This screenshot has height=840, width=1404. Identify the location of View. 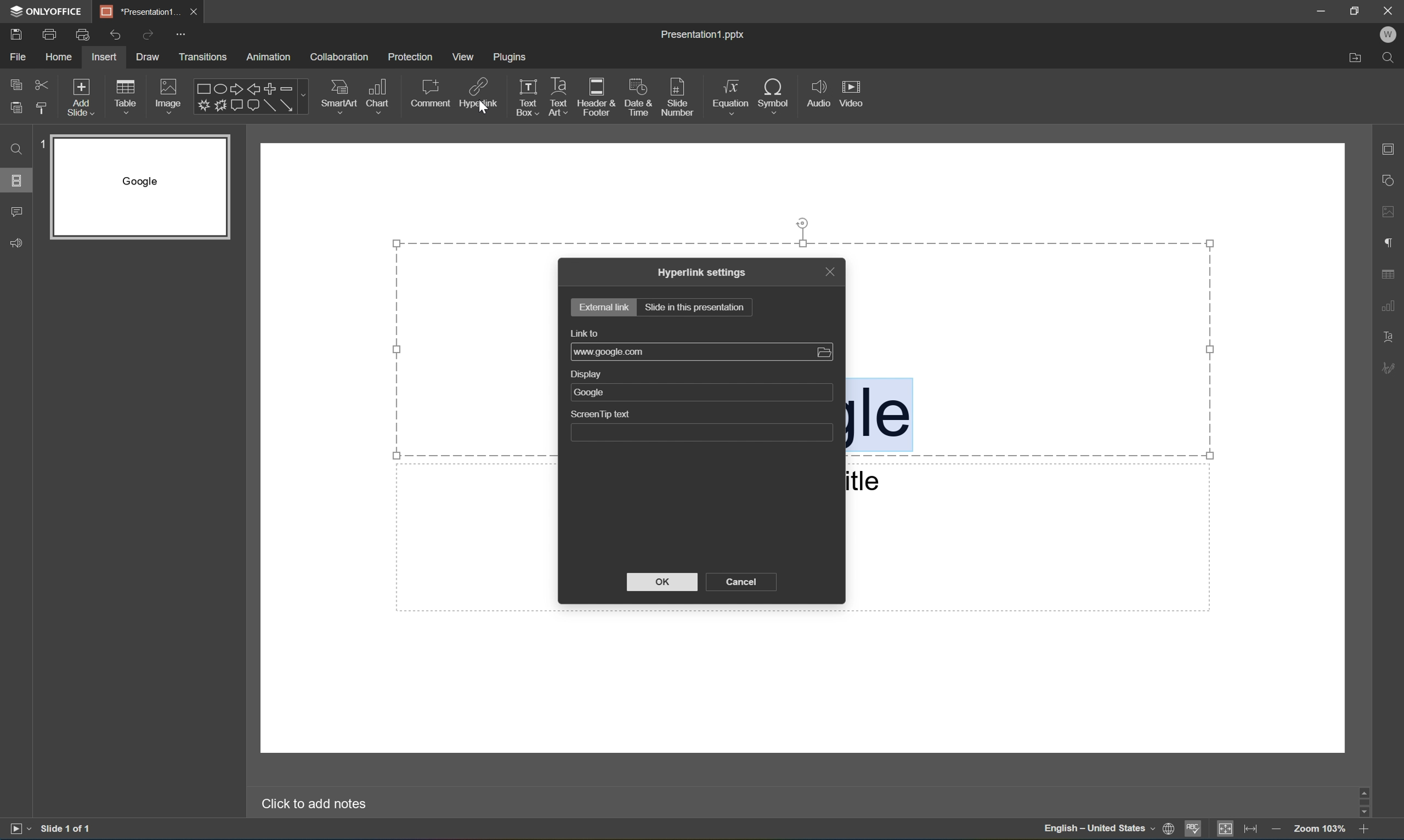
(463, 57).